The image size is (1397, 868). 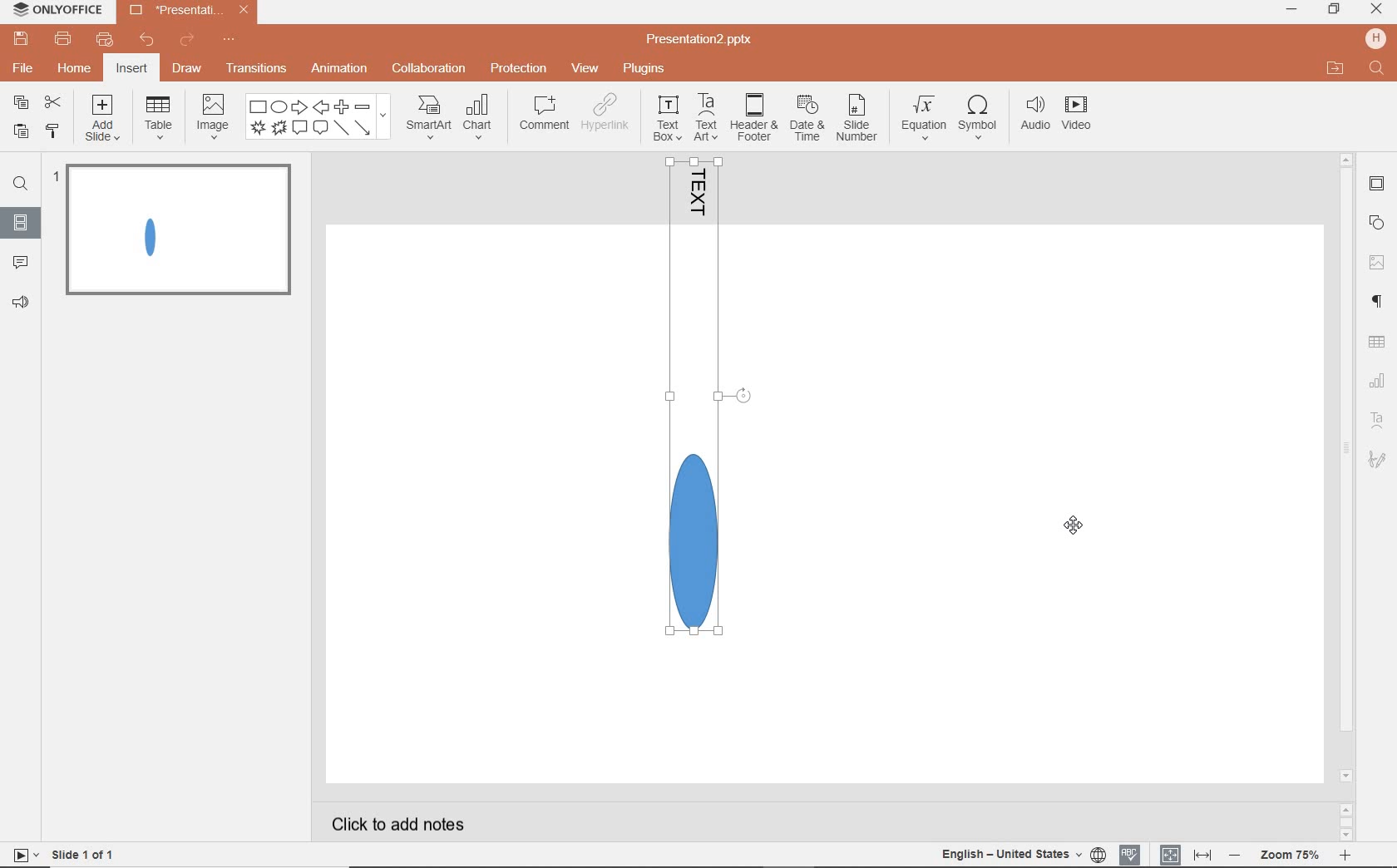 I want to click on Text Art, so click(x=1376, y=419).